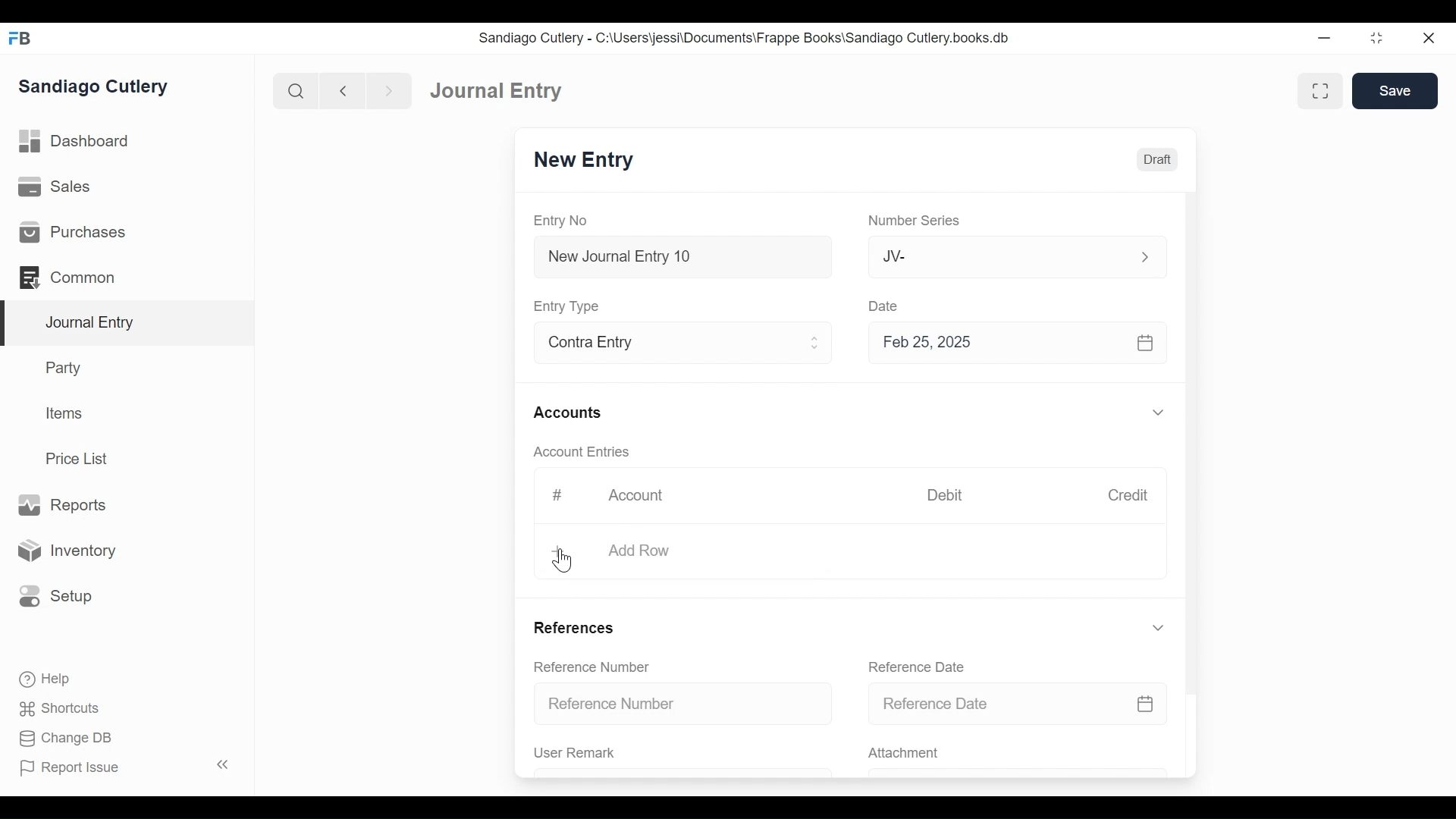  Describe the element at coordinates (1194, 434) in the screenshot. I see `Vertical Scroll bar` at that location.